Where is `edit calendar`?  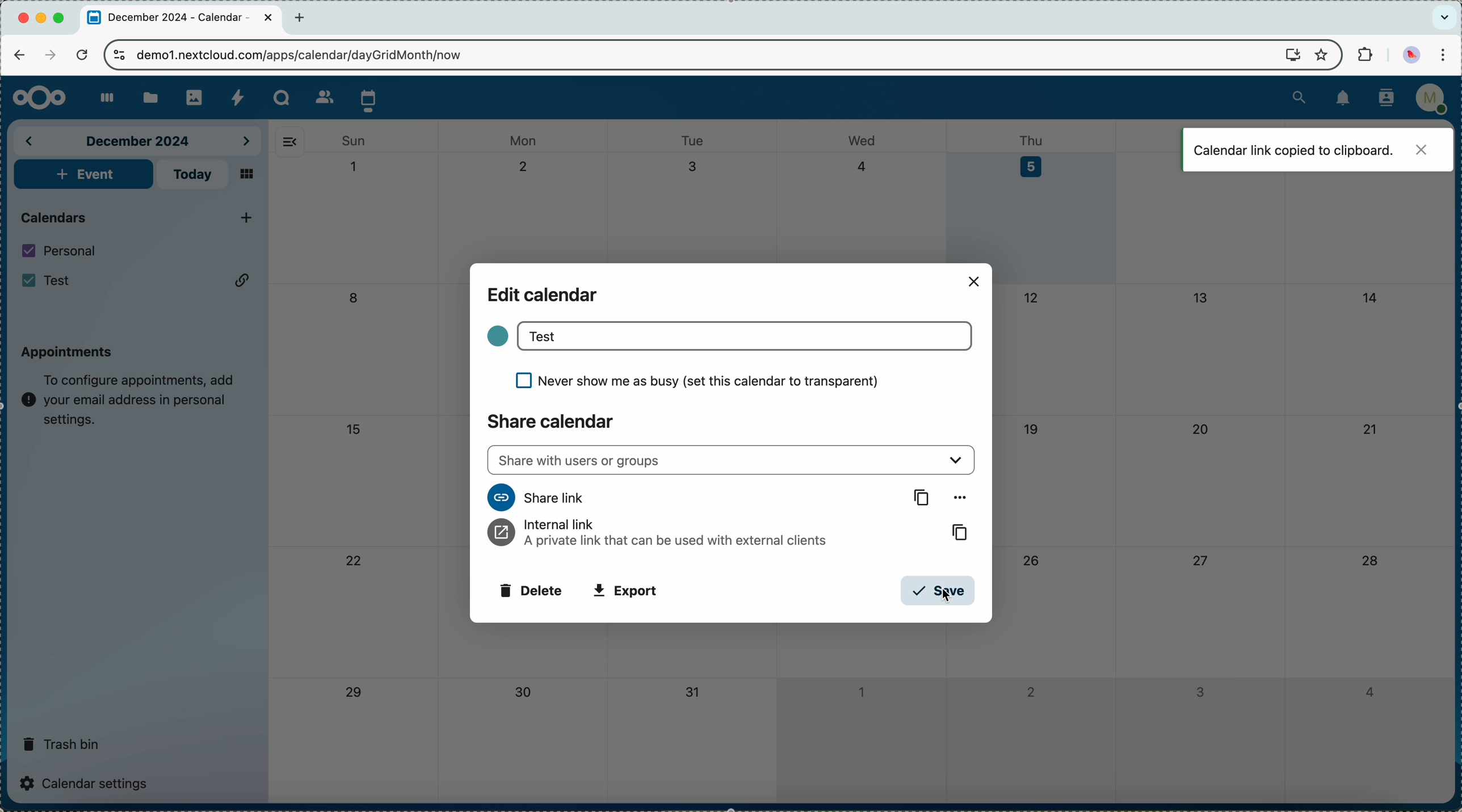 edit calendar is located at coordinates (544, 294).